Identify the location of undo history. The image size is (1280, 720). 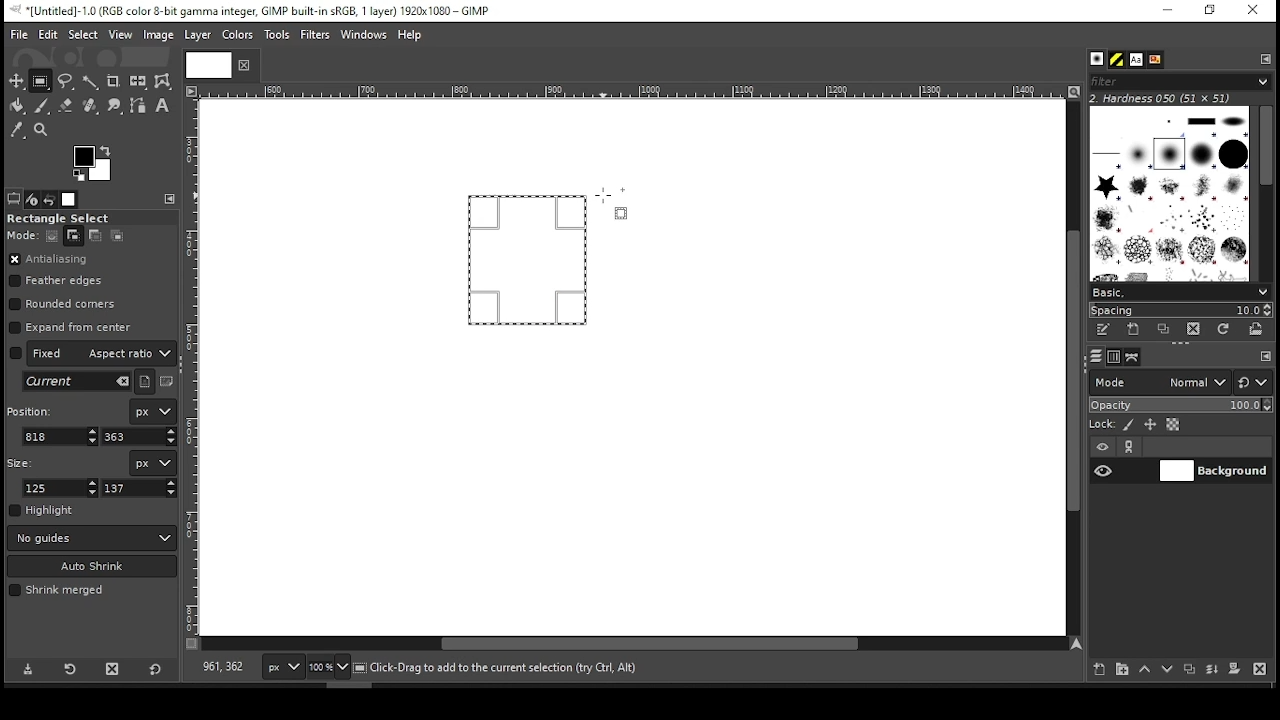
(51, 200).